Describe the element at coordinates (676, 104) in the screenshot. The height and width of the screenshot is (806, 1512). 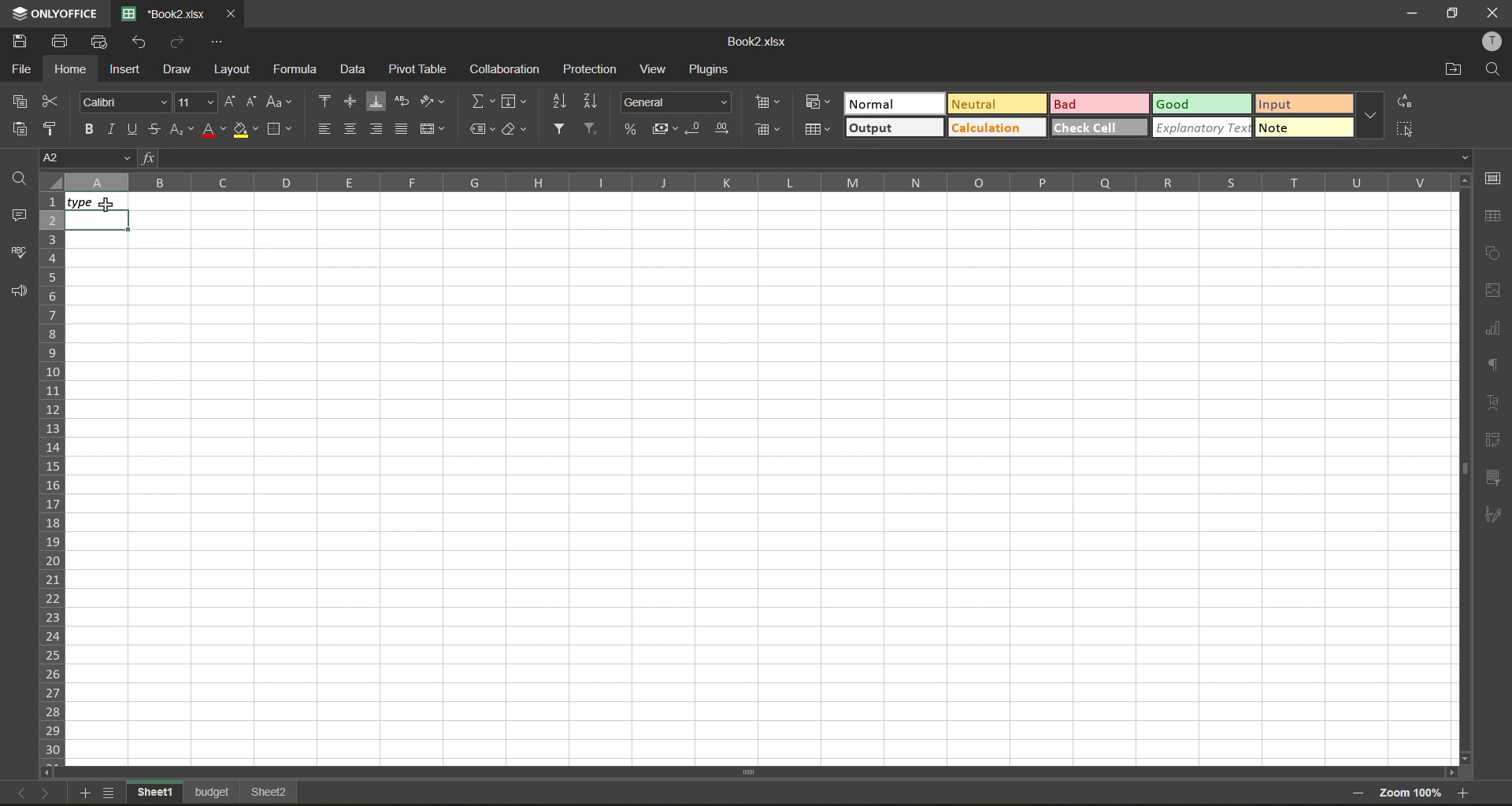
I see `number format` at that location.